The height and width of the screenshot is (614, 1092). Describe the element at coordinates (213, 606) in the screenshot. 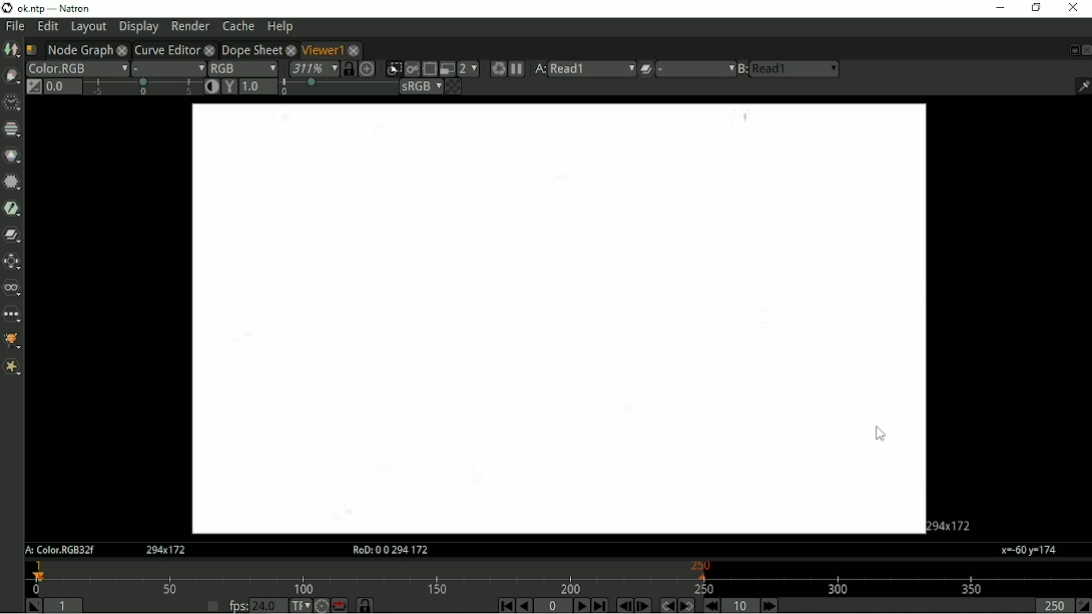

I see `Set playback frame rate automatically` at that location.